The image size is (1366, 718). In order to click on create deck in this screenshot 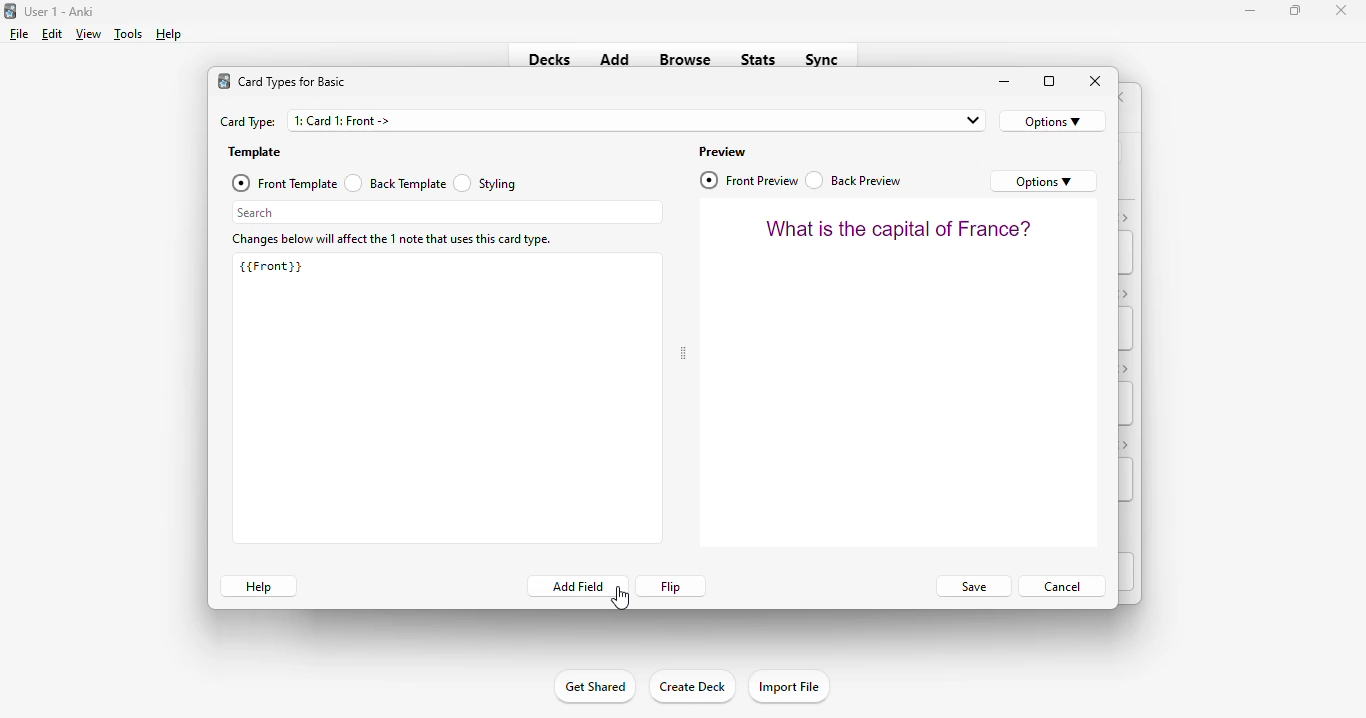, I will do `click(691, 685)`.